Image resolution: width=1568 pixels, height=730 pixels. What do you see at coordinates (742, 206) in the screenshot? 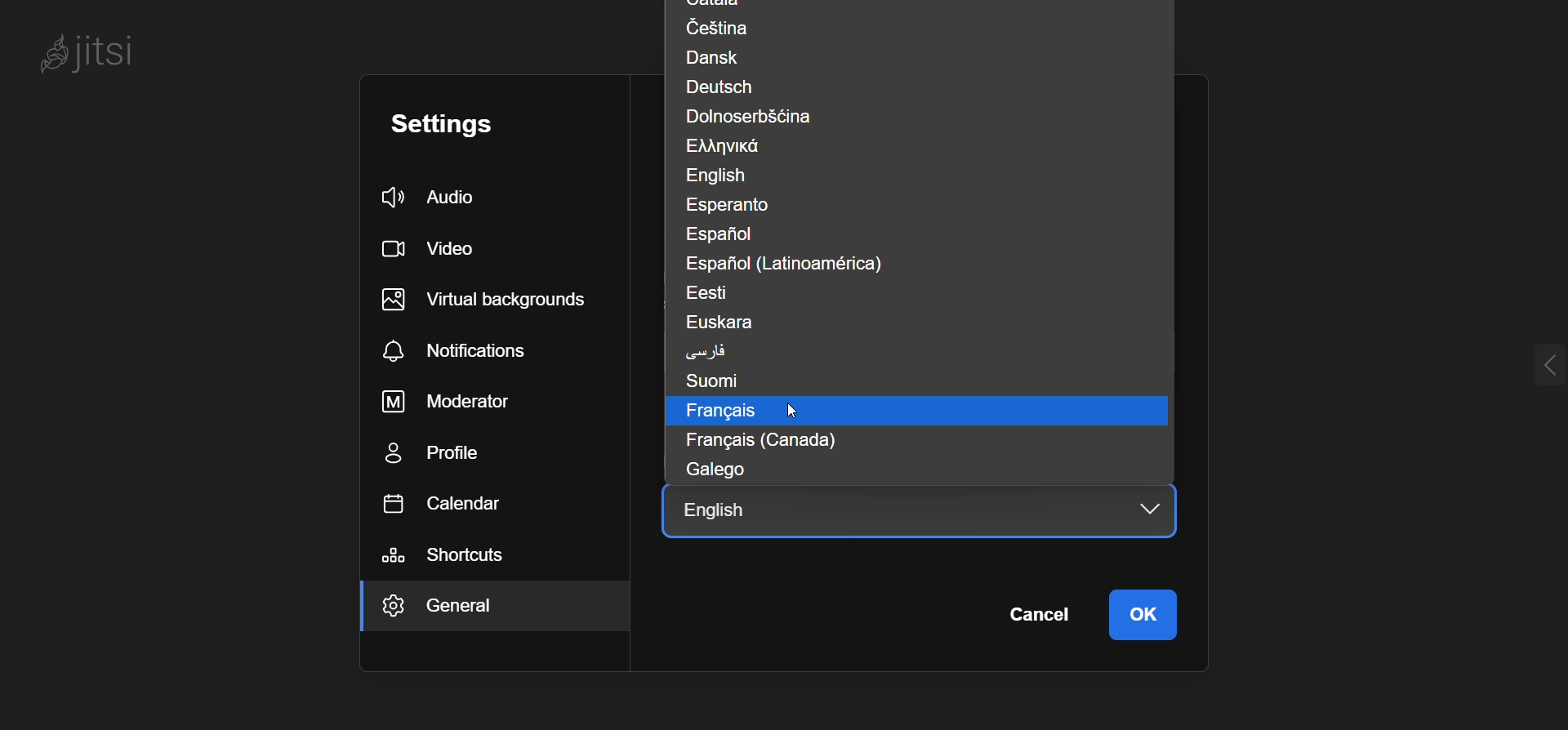
I see `Esperanto` at bounding box center [742, 206].